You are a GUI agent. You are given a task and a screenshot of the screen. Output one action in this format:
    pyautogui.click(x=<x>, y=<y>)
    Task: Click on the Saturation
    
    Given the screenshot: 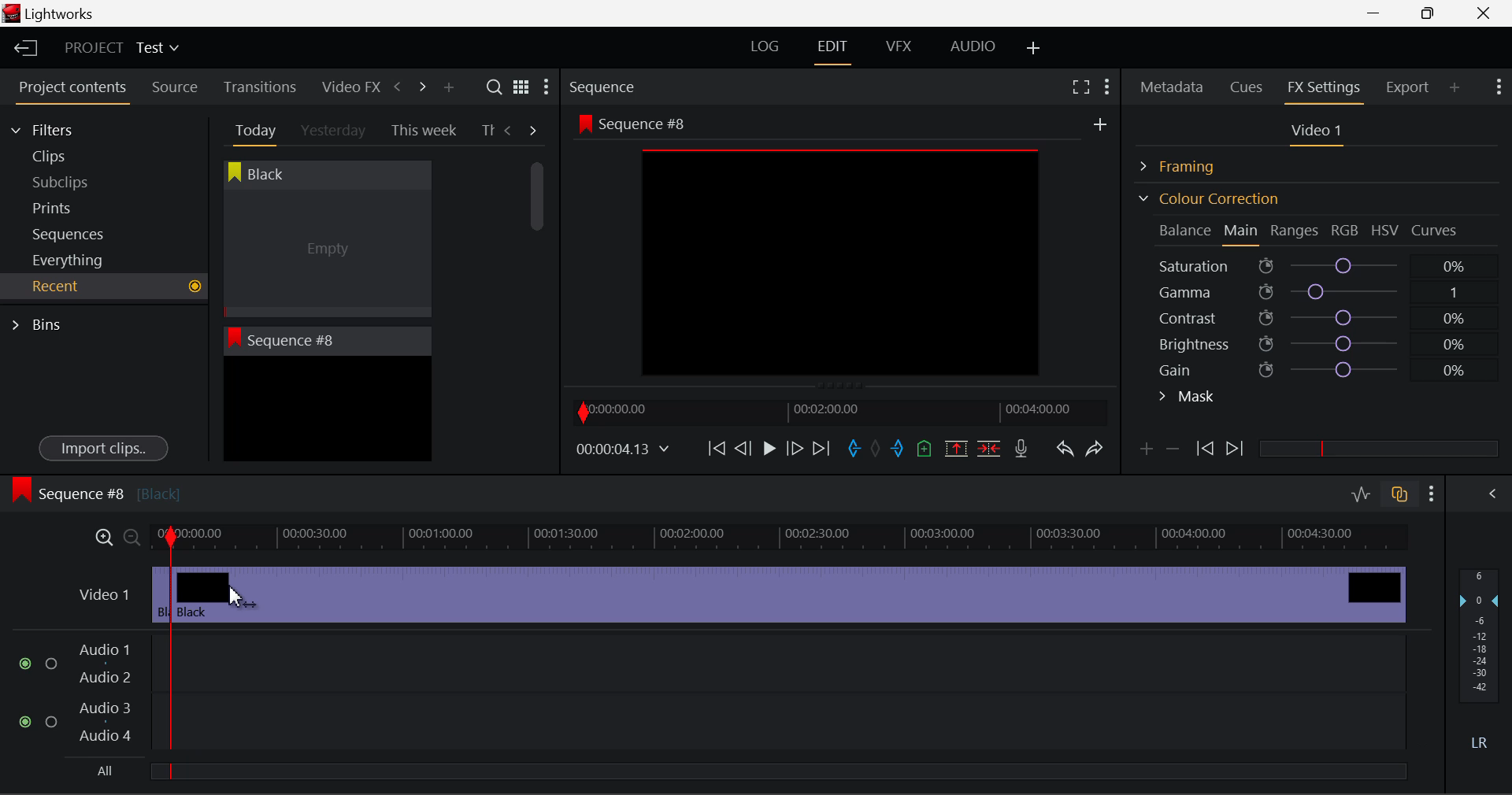 What is the action you would take?
    pyautogui.click(x=1314, y=263)
    